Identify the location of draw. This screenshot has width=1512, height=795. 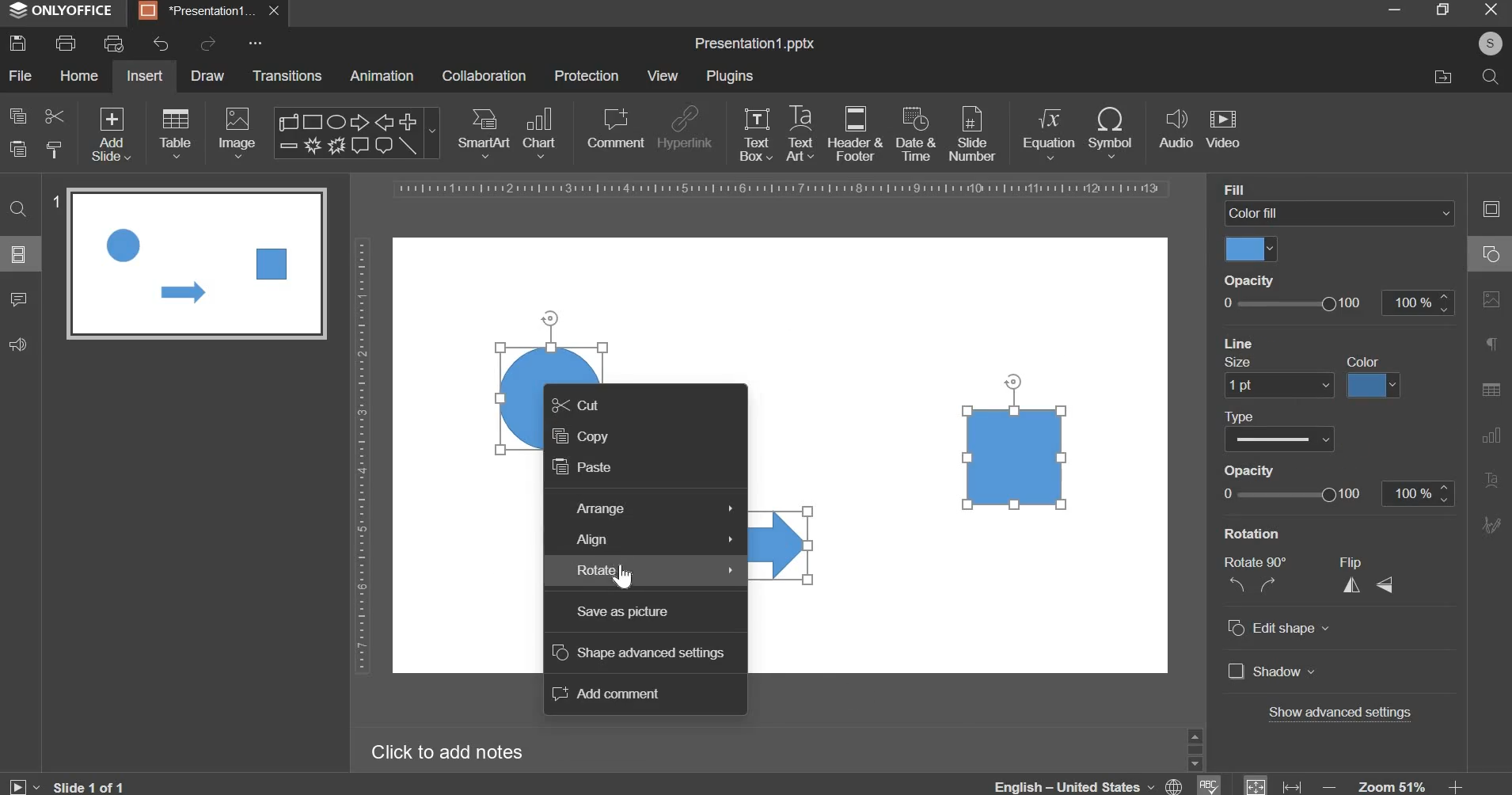
(209, 74).